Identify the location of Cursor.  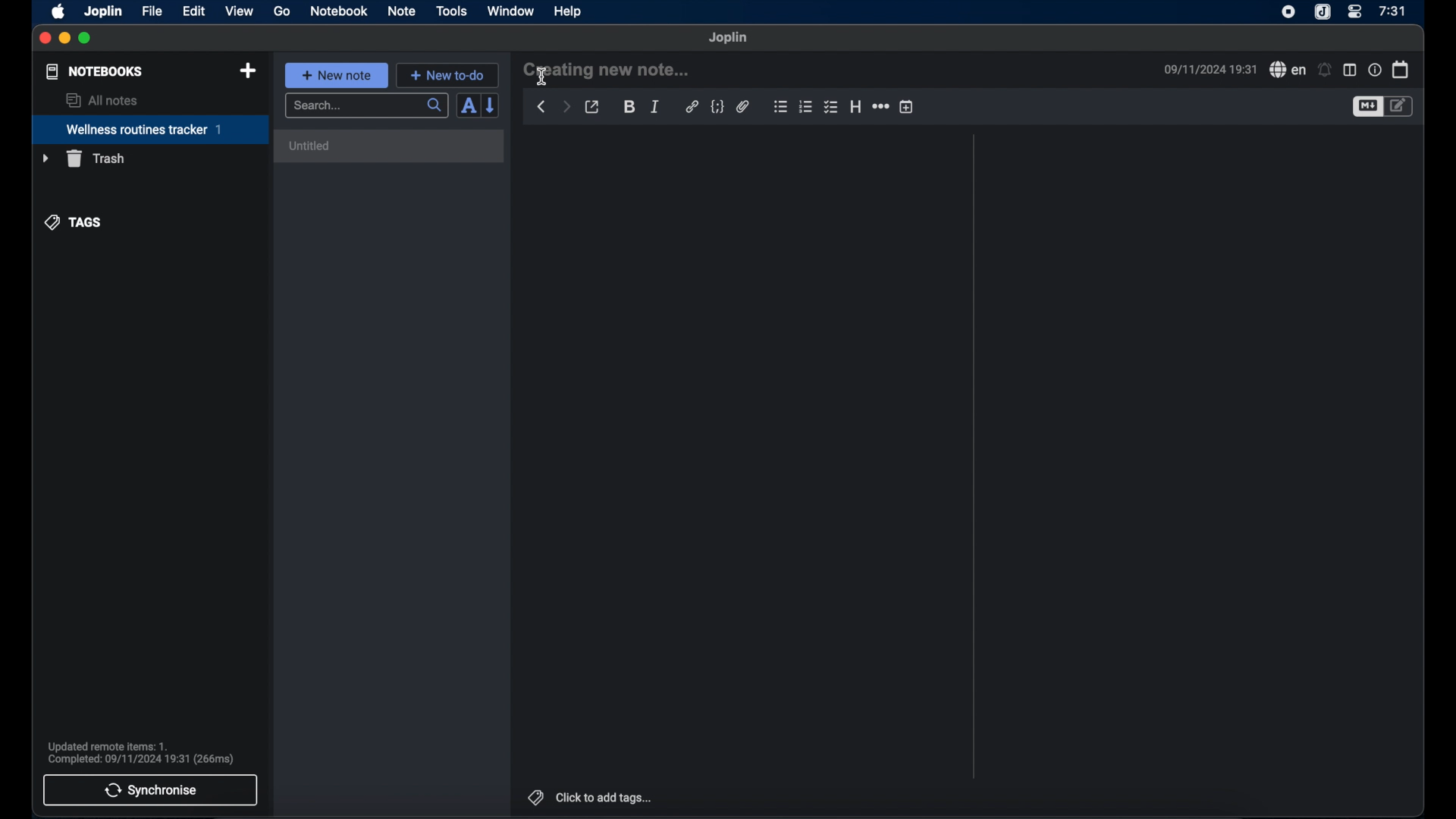
(545, 75).